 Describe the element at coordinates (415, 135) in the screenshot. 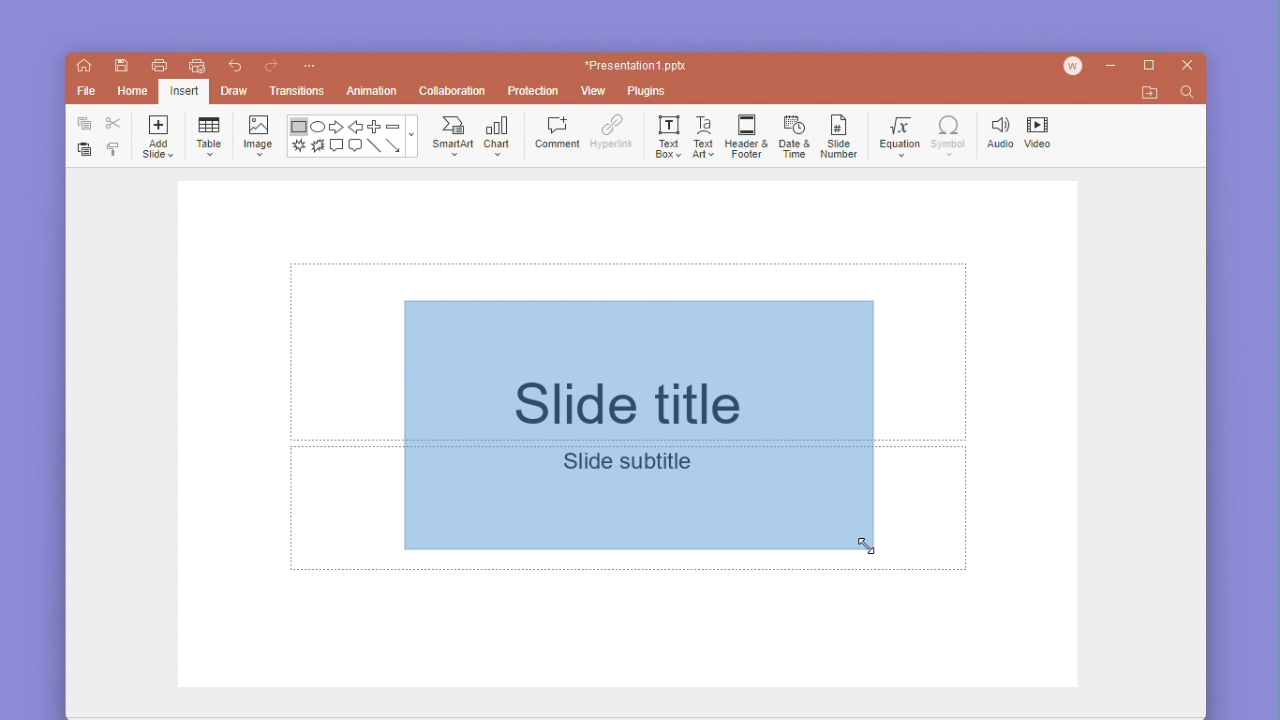

I see `moreshapes` at that location.